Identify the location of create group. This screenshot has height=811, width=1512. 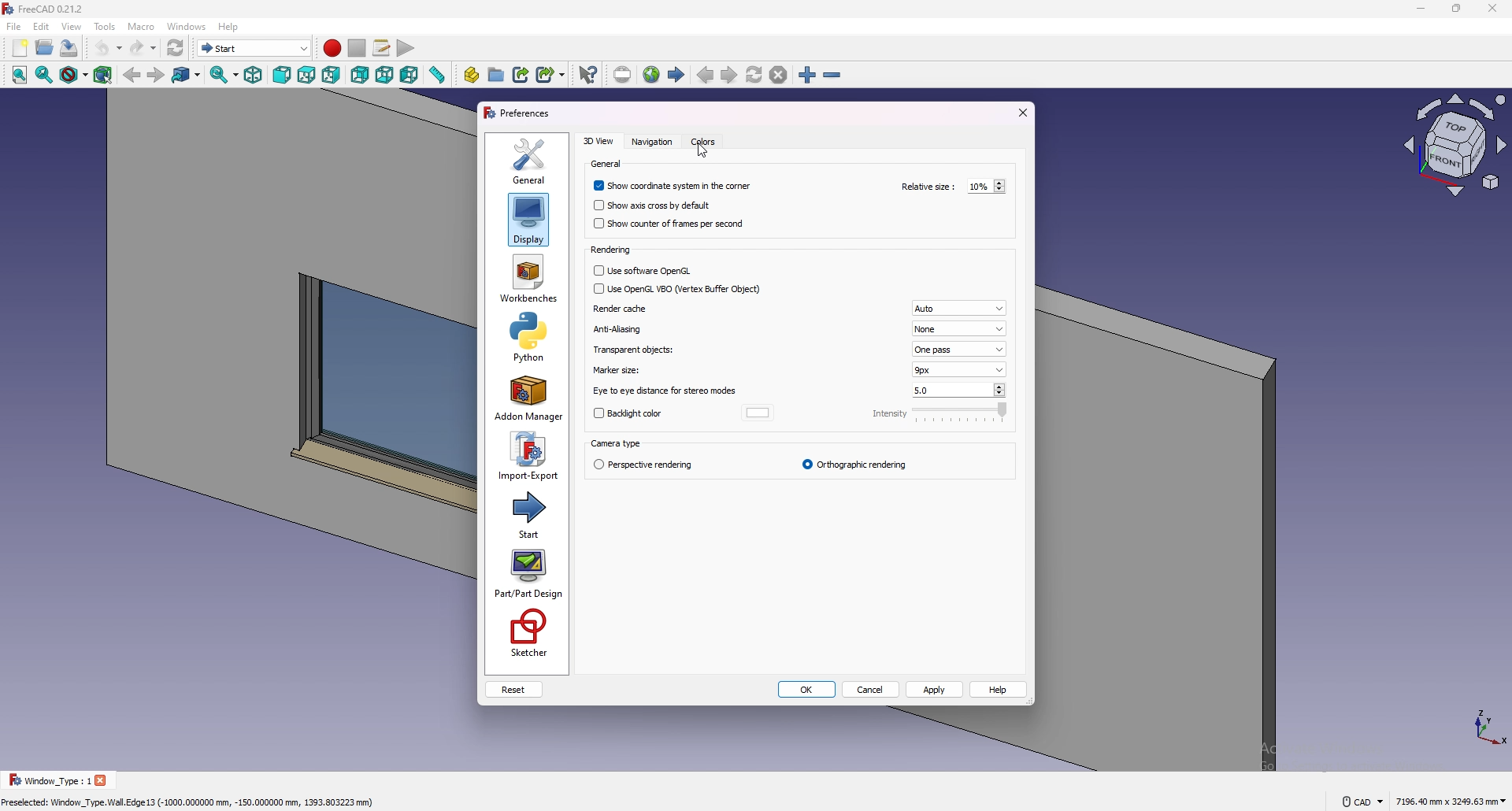
(498, 74).